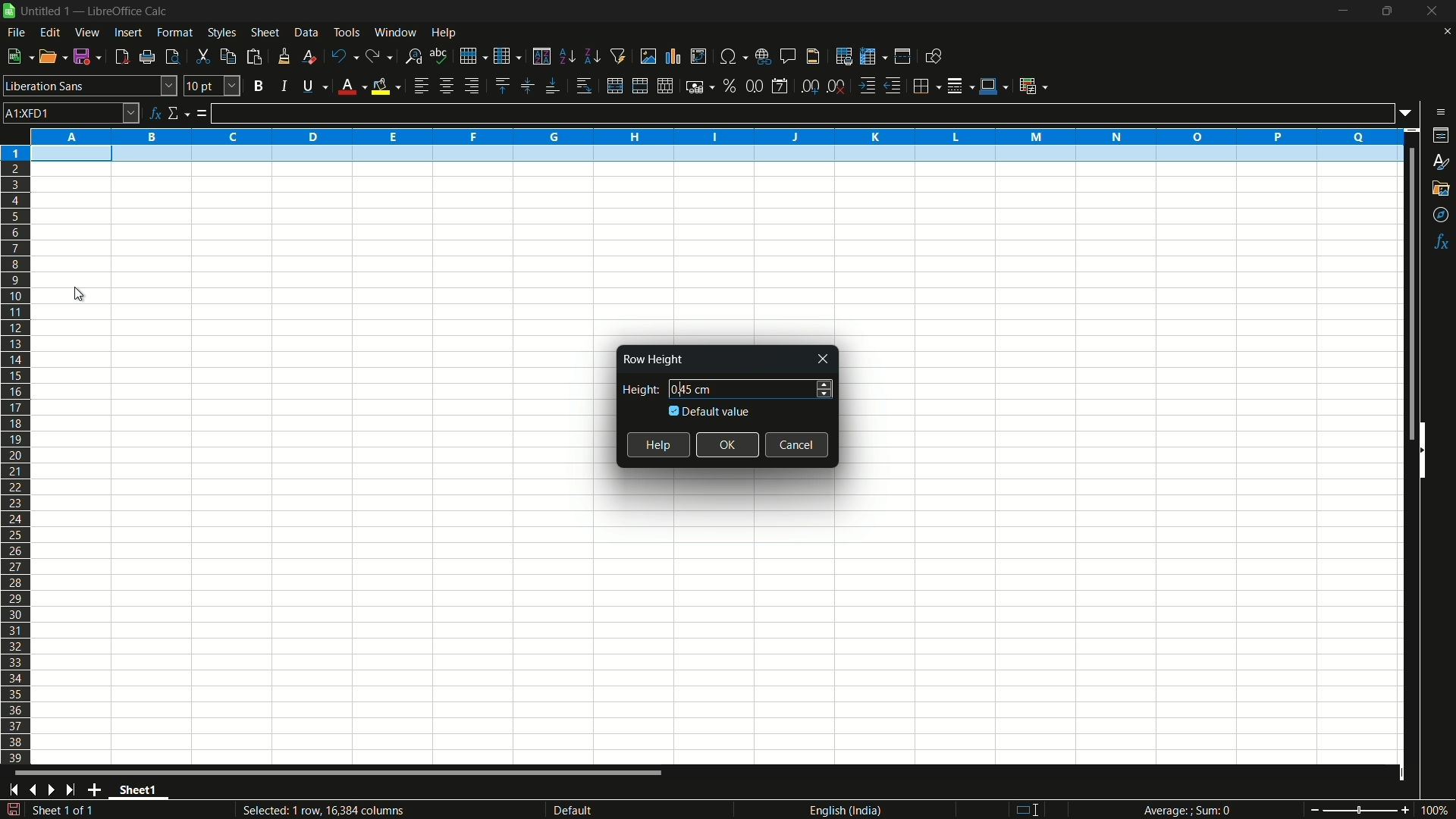 Image resolution: width=1456 pixels, height=819 pixels. What do you see at coordinates (306, 33) in the screenshot?
I see `data menu` at bounding box center [306, 33].